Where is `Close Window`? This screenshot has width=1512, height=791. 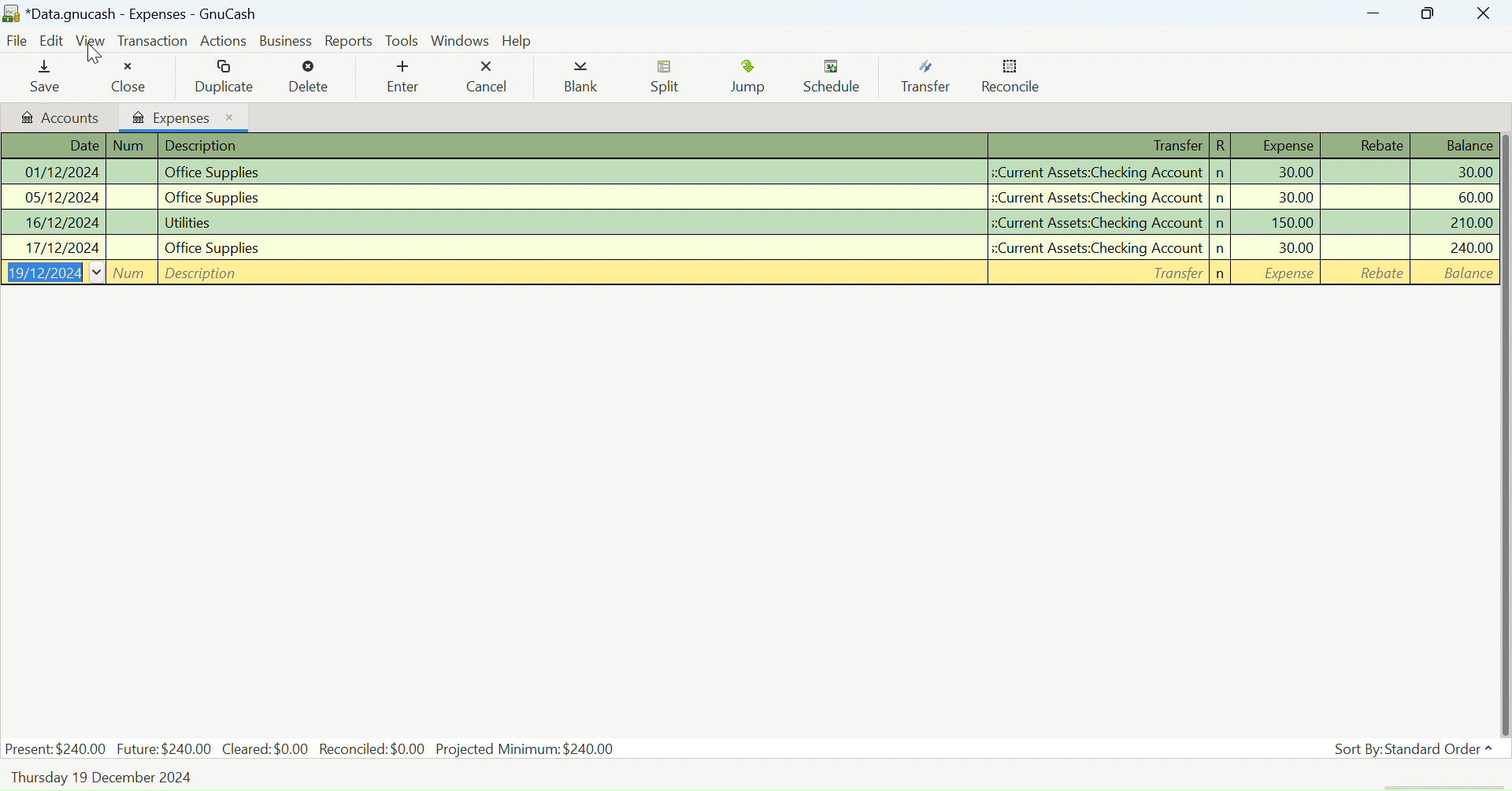
Close Window is located at coordinates (1484, 13).